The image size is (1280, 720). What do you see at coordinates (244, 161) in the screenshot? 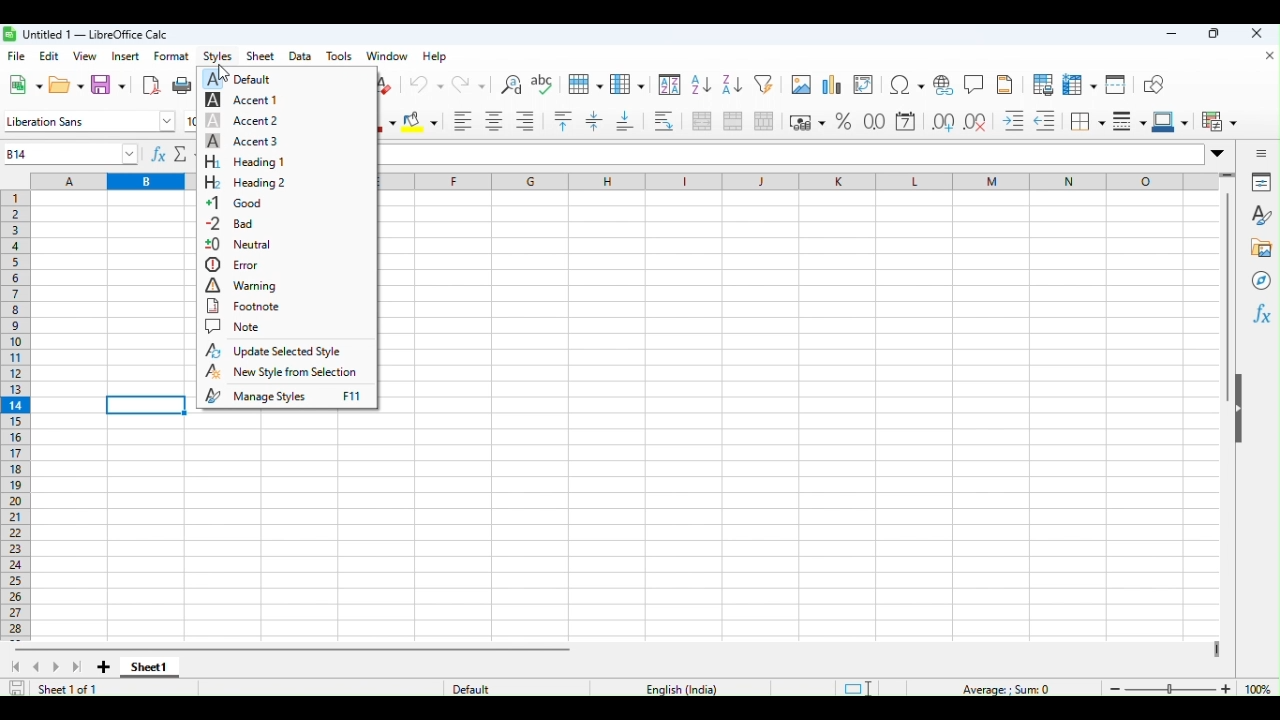
I see `Heading 1` at bounding box center [244, 161].